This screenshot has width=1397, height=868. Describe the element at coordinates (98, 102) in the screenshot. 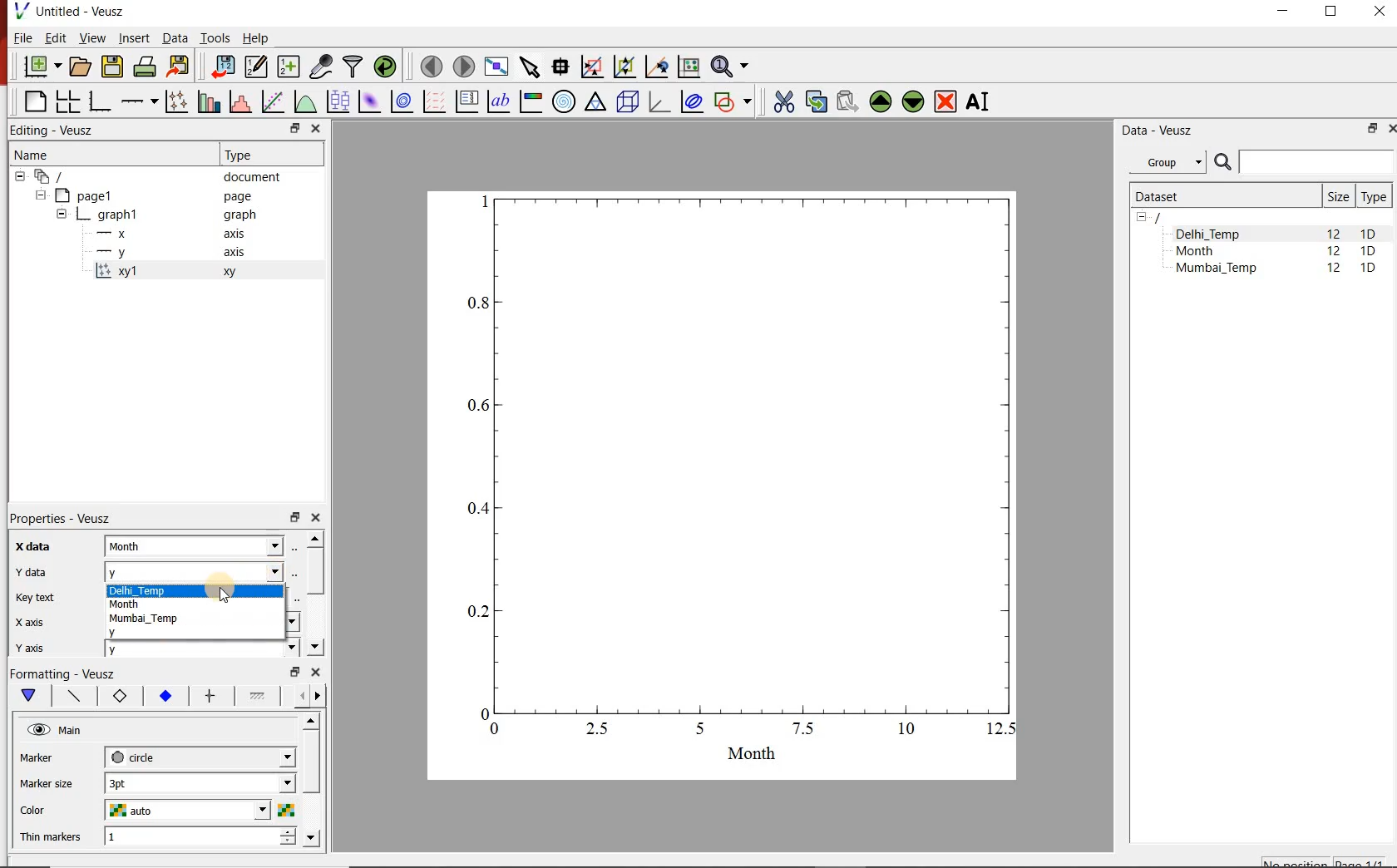

I see `base graph` at that location.